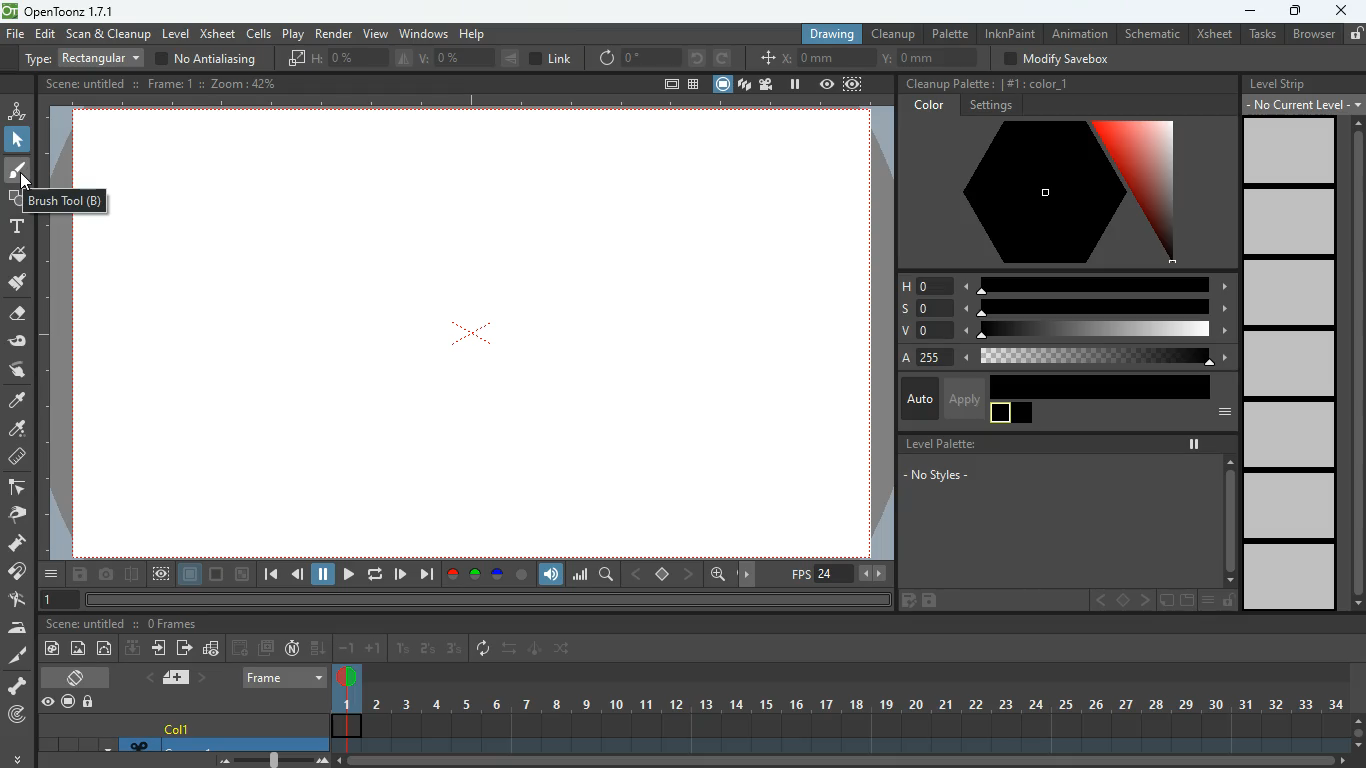  What do you see at coordinates (795, 84) in the screenshot?
I see `pause` at bounding box center [795, 84].